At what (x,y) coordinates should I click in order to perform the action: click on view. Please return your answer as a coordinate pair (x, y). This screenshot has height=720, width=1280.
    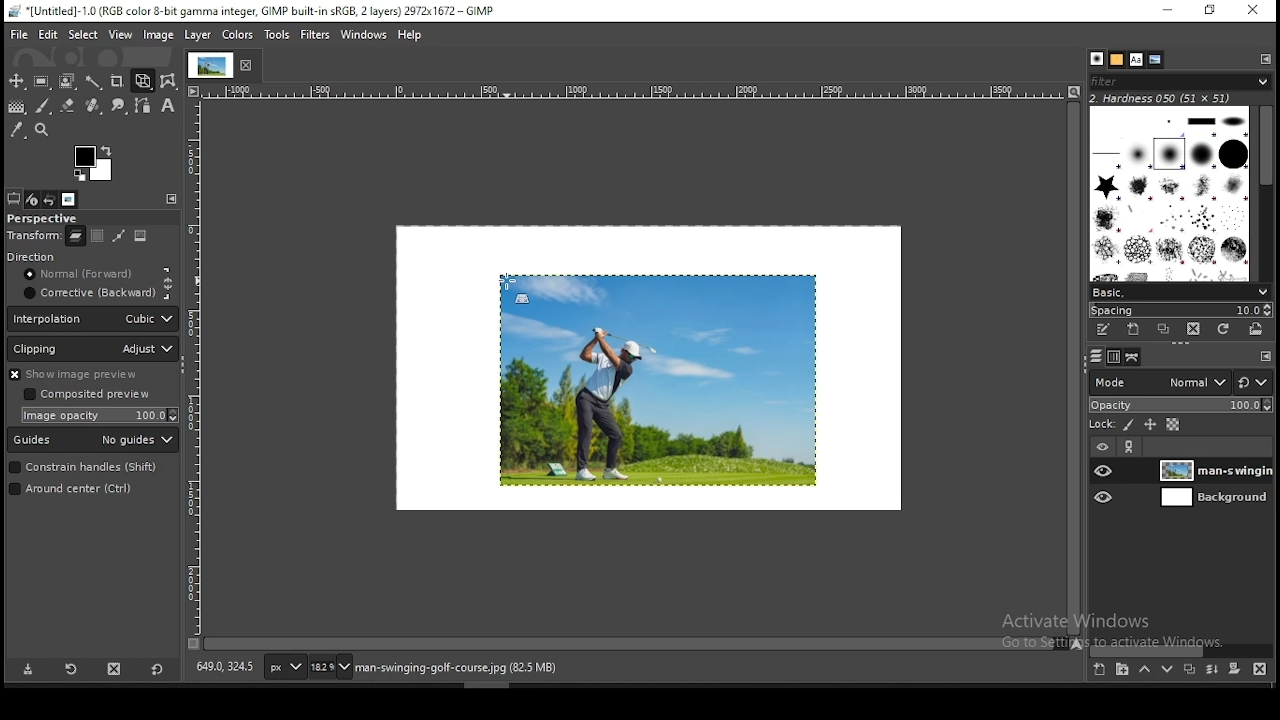
    Looking at the image, I should click on (119, 35).